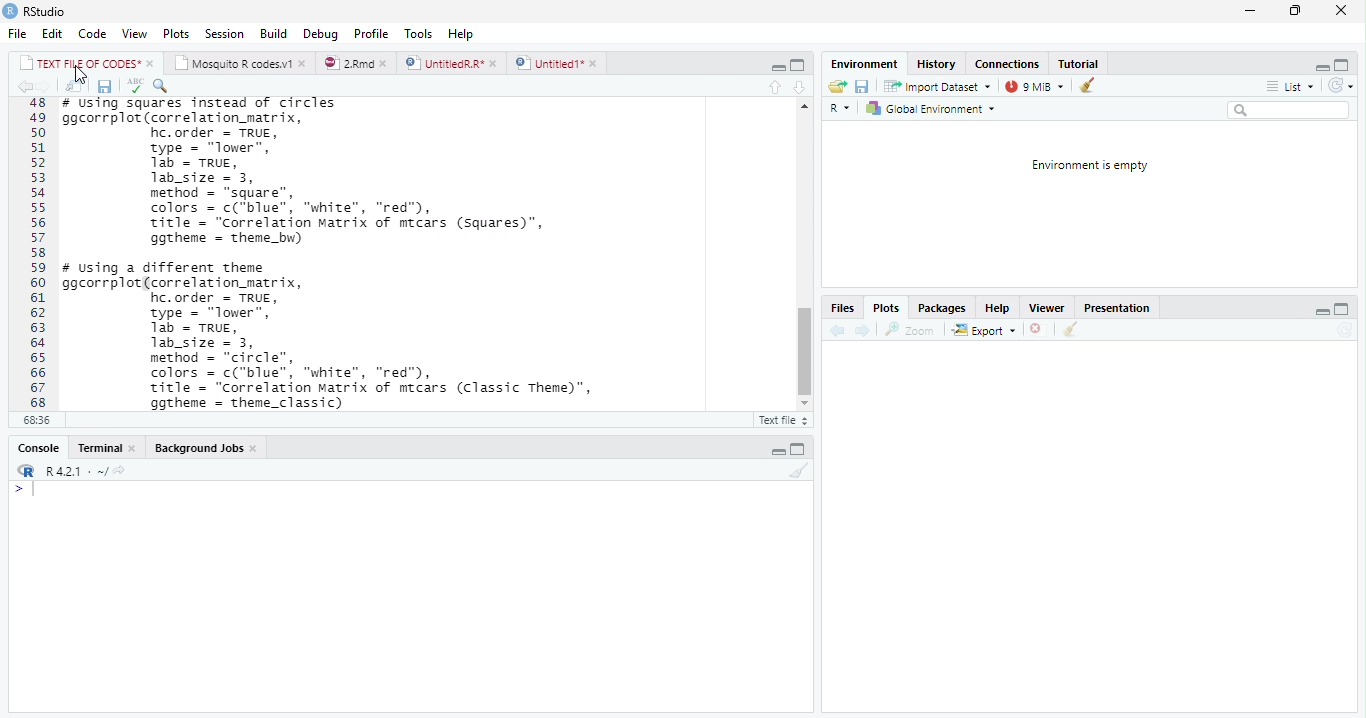 Image resolution: width=1366 pixels, height=718 pixels. What do you see at coordinates (798, 64) in the screenshot?
I see `hide console` at bounding box center [798, 64].